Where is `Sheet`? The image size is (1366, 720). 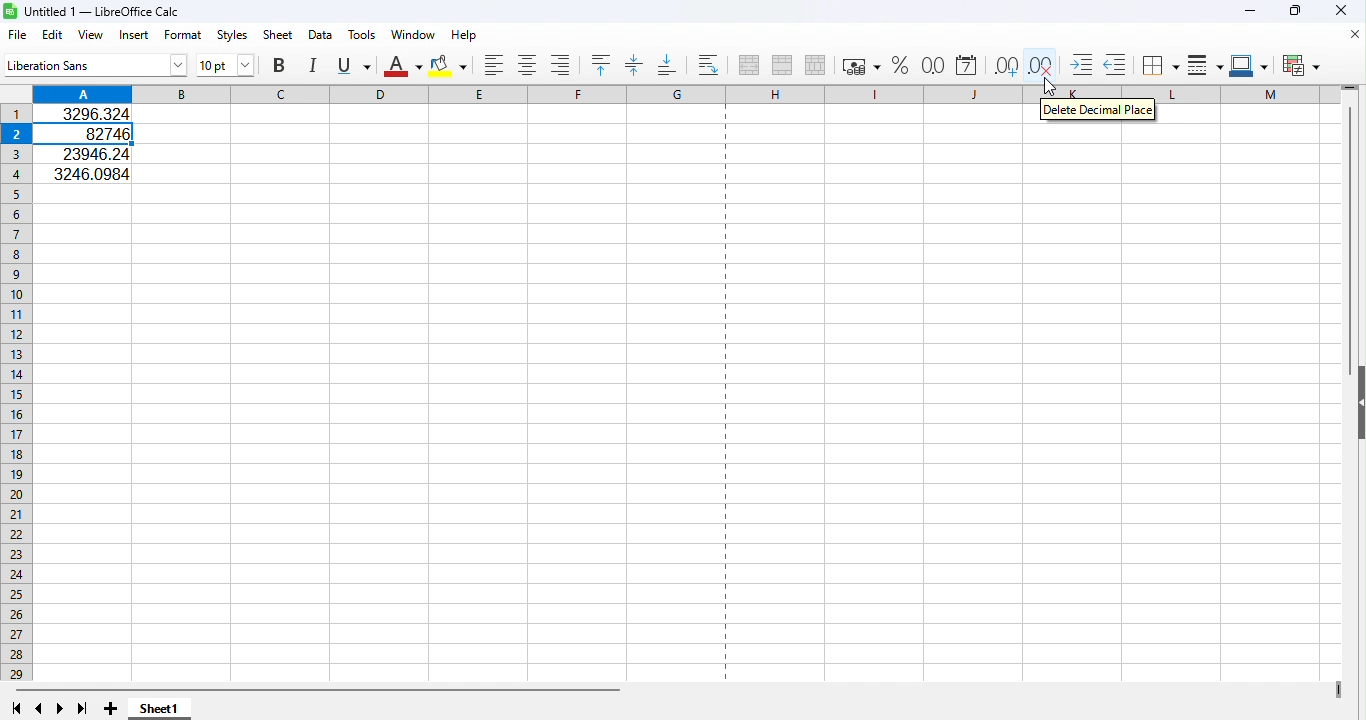 Sheet is located at coordinates (275, 34).